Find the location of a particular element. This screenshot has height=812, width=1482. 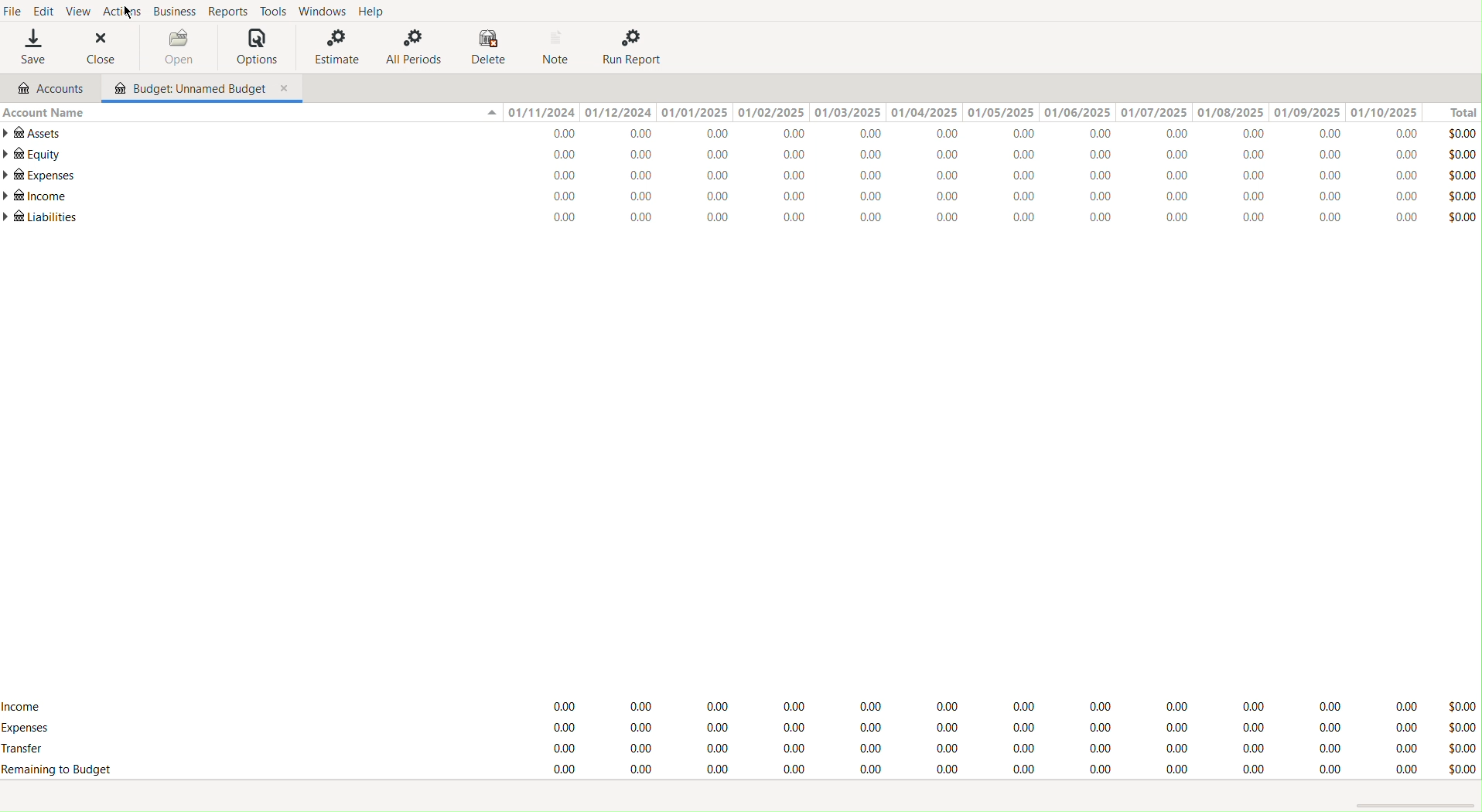

Close is located at coordinates (102, 49).